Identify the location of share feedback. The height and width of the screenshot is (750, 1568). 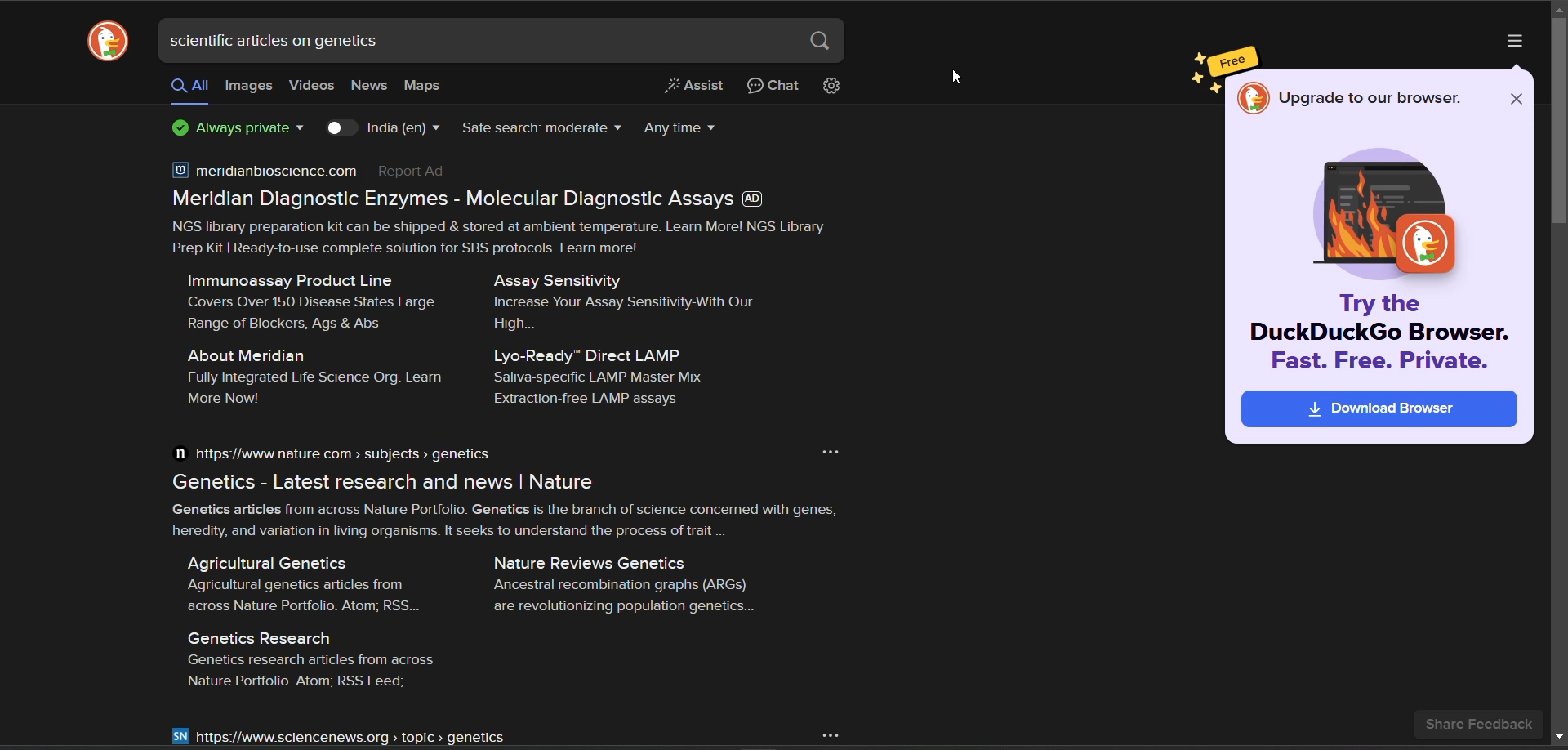
(1486, 721).